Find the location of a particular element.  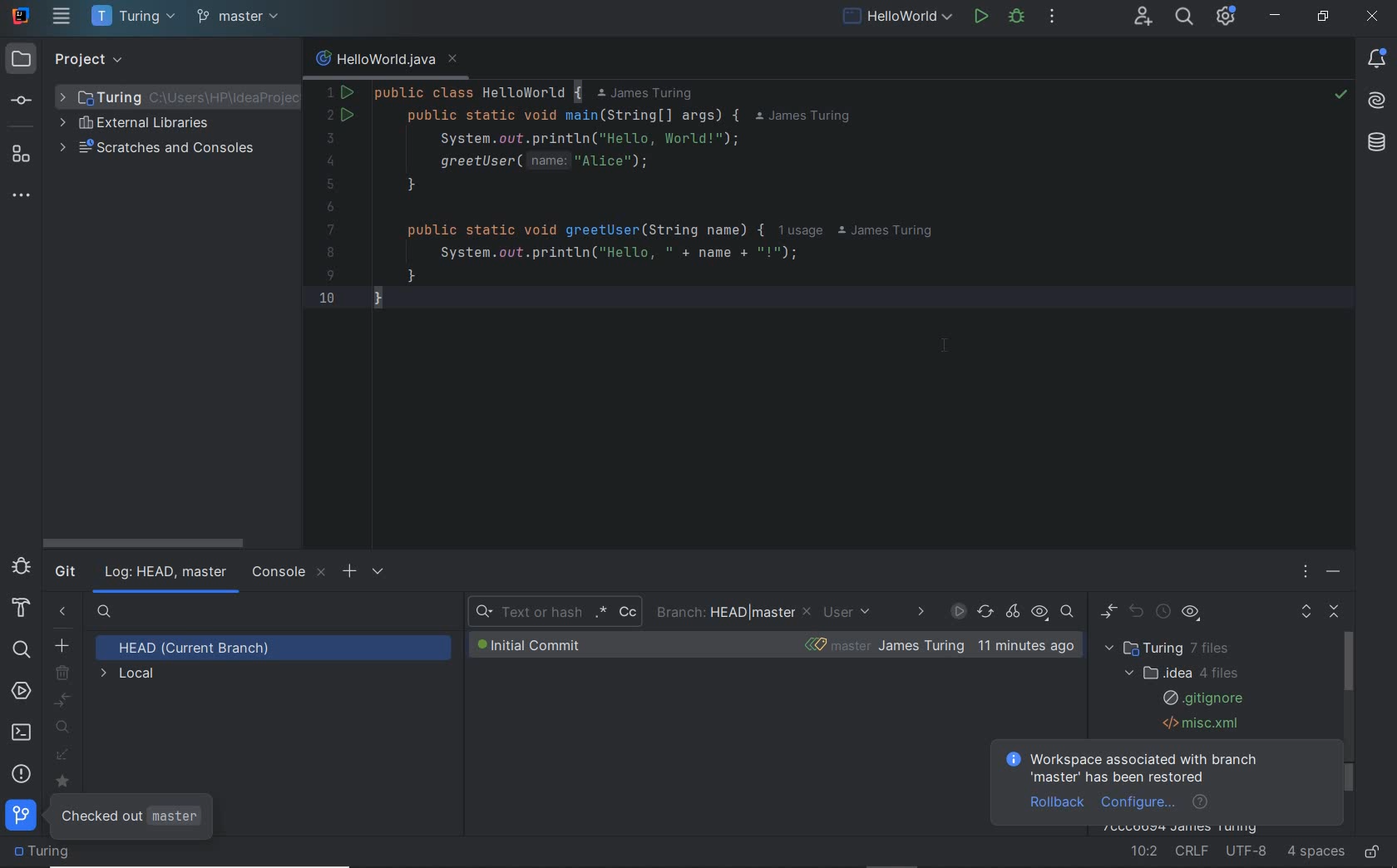

project name is located at coordinates (131, 17).